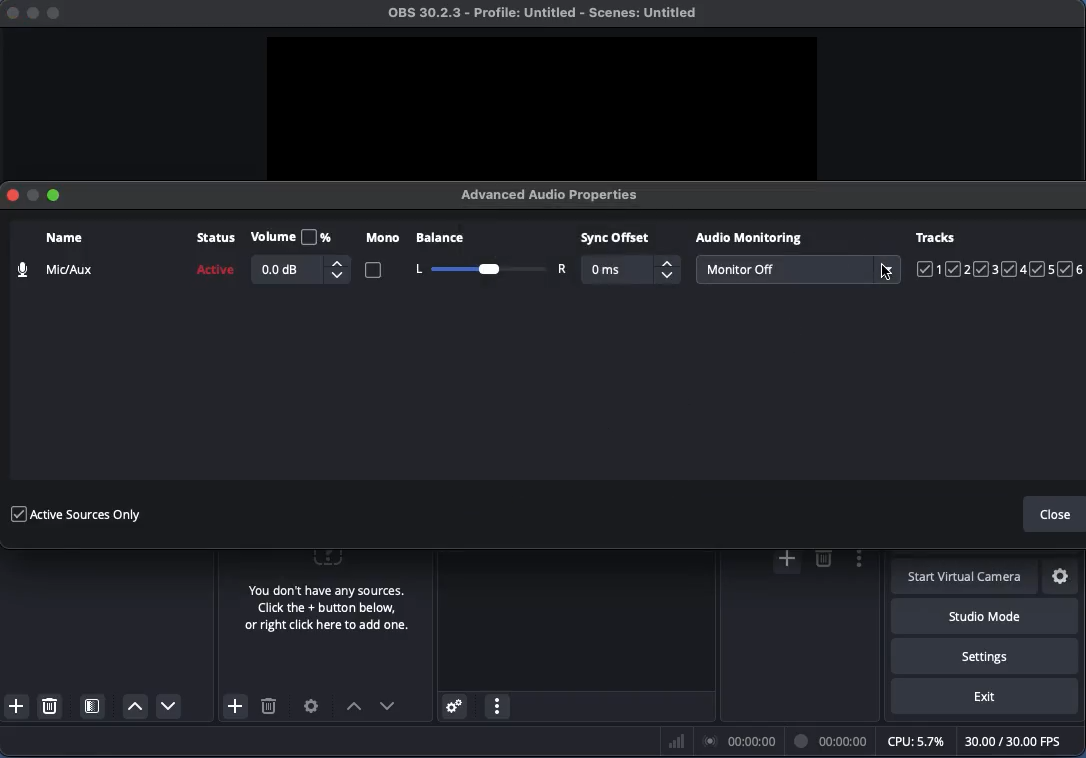 This screenshot has height=758, width=1086. What do you see at coordinates (855, 561) in the screenshot?
I see `options` at bounding box center [855, 561].